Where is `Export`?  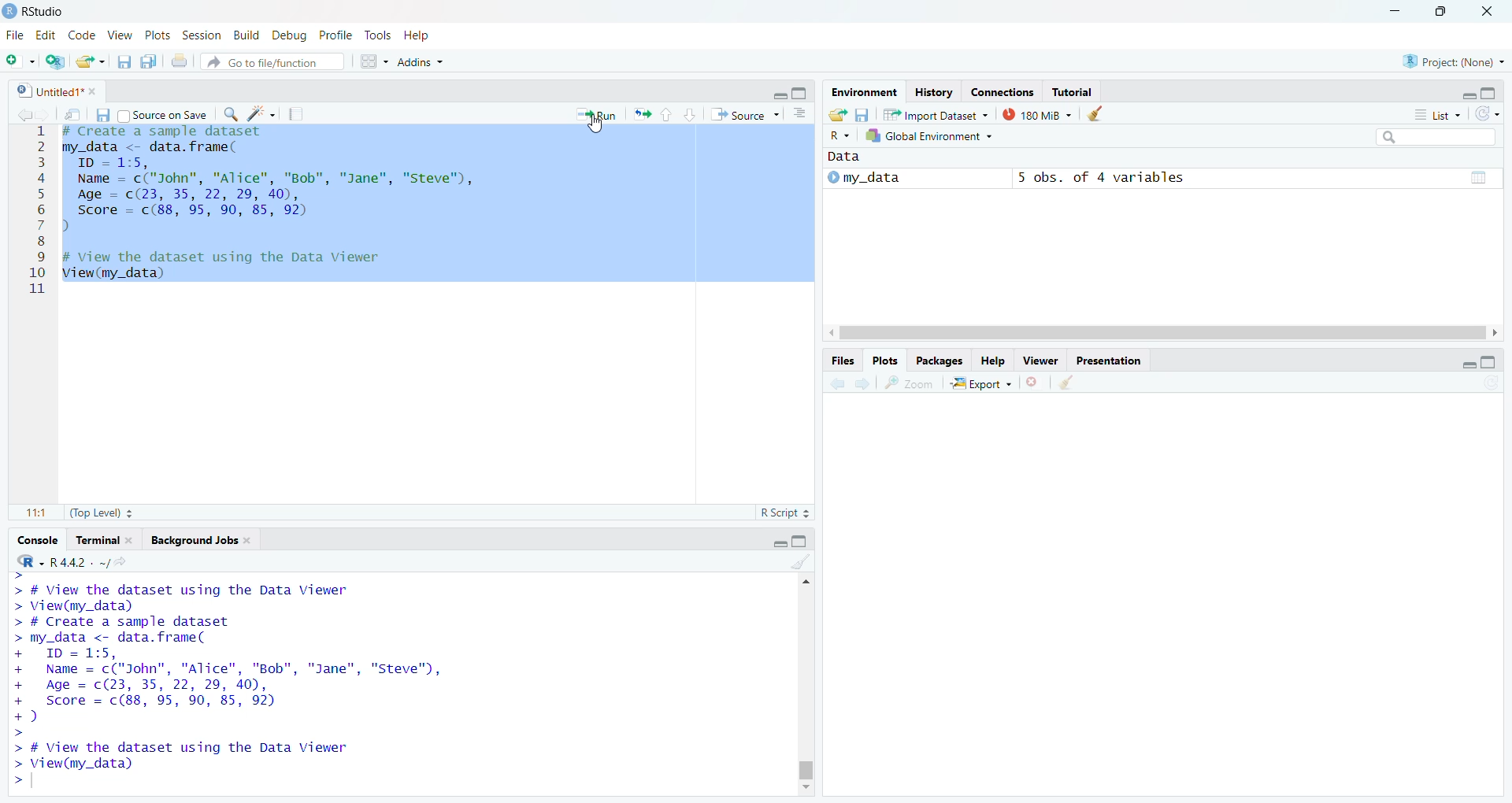 Export is located at coordinates (978, 383).